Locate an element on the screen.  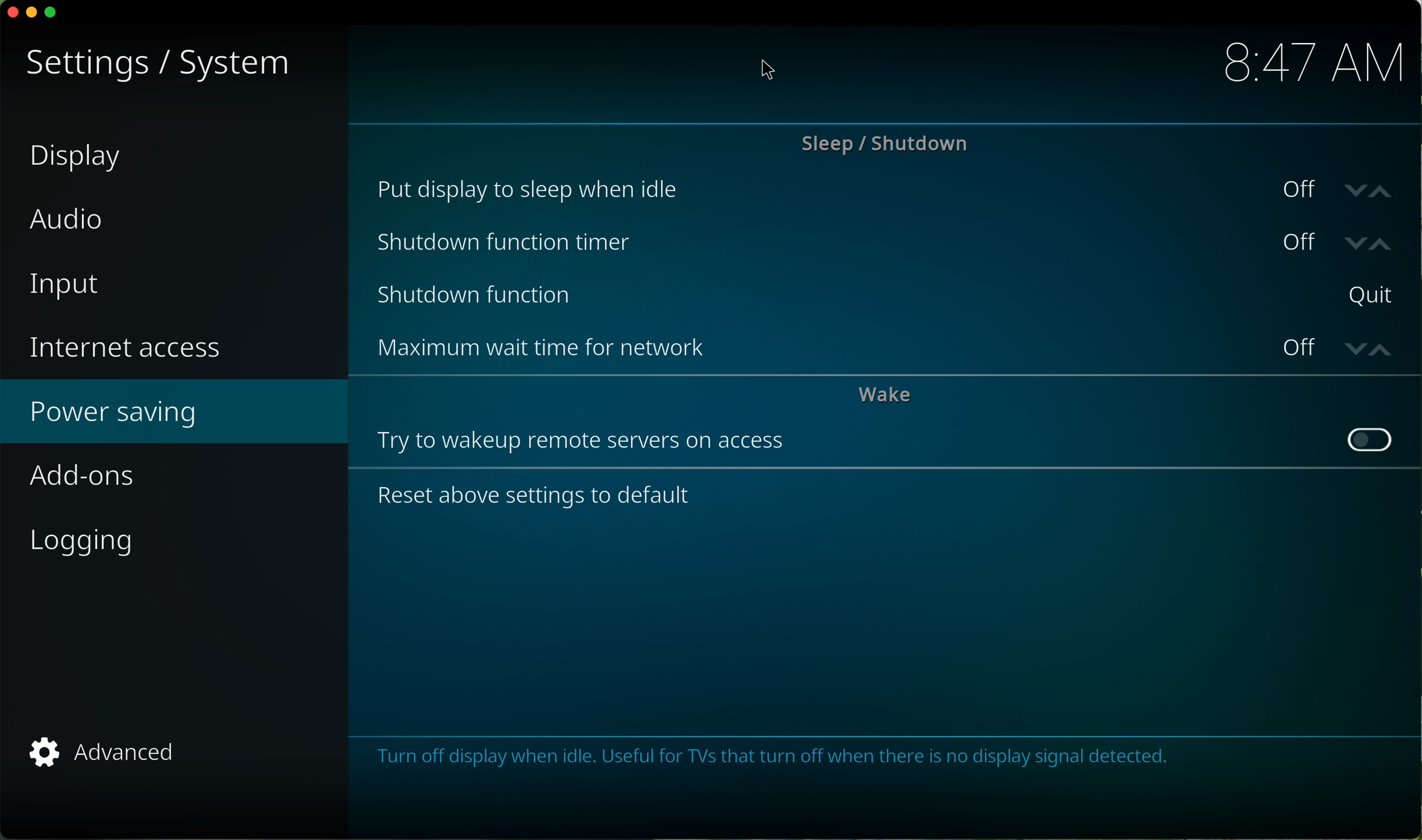
arrows is located at coordinates (1369, 189).